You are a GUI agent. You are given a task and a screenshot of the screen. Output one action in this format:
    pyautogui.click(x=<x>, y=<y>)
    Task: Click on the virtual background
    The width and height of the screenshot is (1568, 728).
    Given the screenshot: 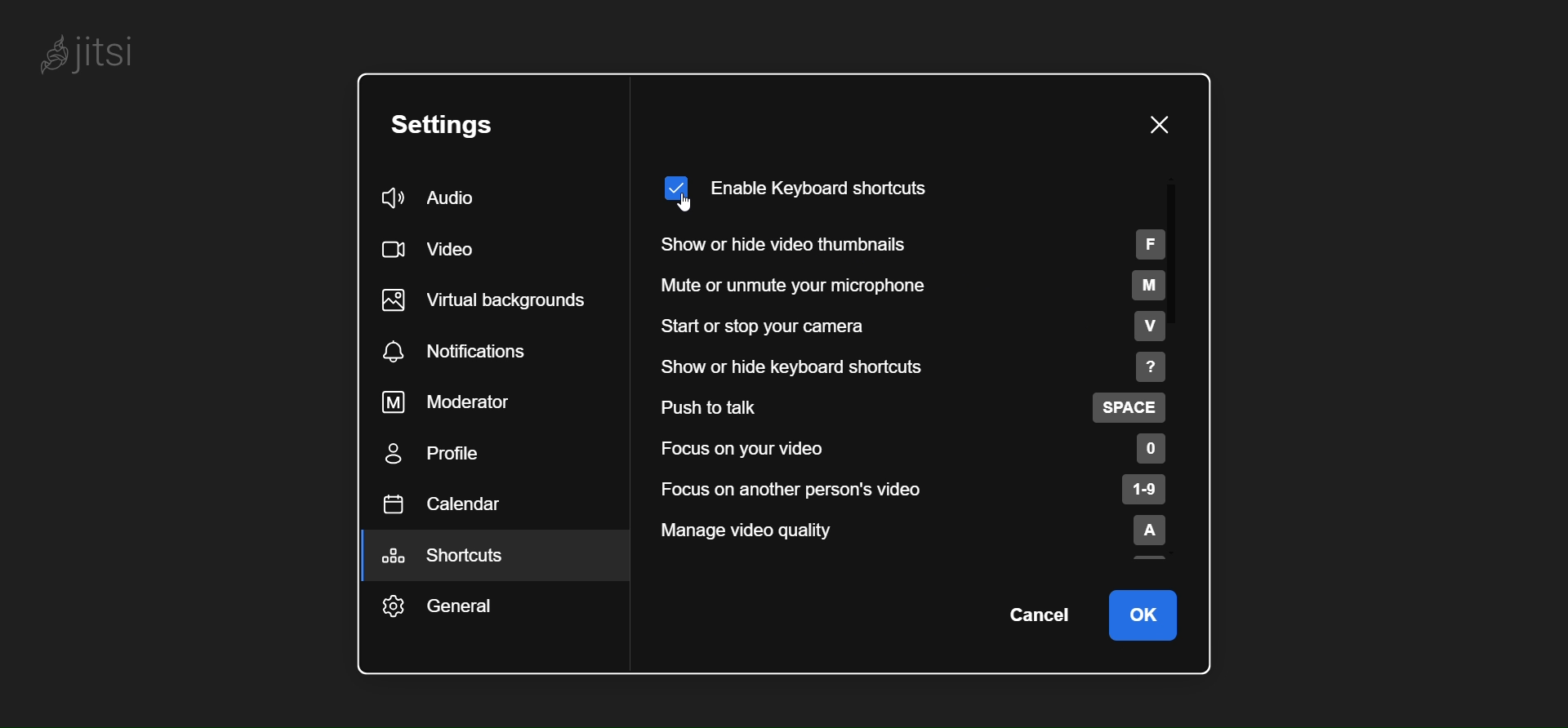 What is the action you would take?
    pyautogui.click(x=495, y=299)
    